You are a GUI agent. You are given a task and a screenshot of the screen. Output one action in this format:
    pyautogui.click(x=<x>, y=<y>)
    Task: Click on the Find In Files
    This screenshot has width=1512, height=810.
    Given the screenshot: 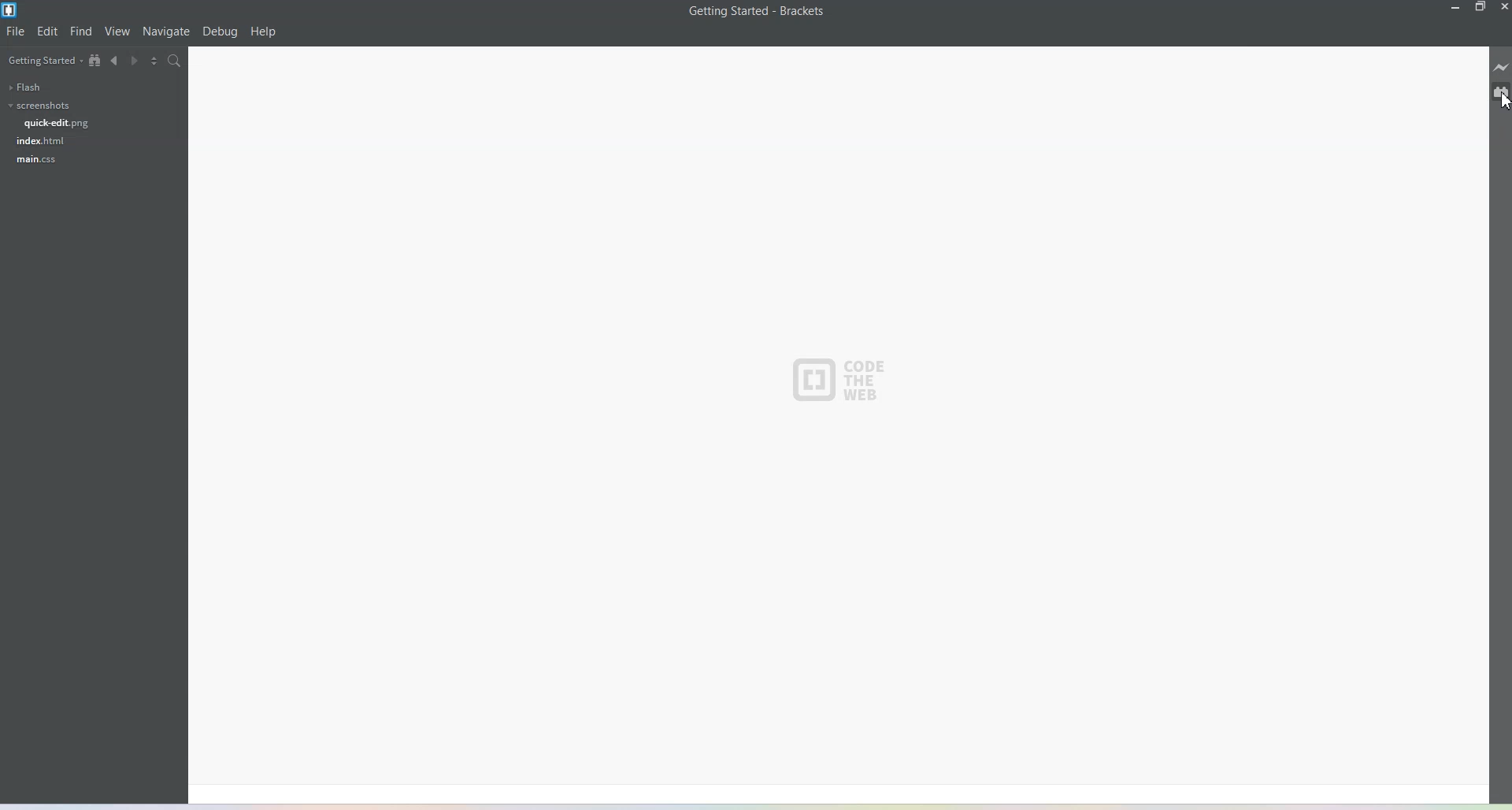 What is the action you would take?
    pyautogui.click(x=183, y=63)
    